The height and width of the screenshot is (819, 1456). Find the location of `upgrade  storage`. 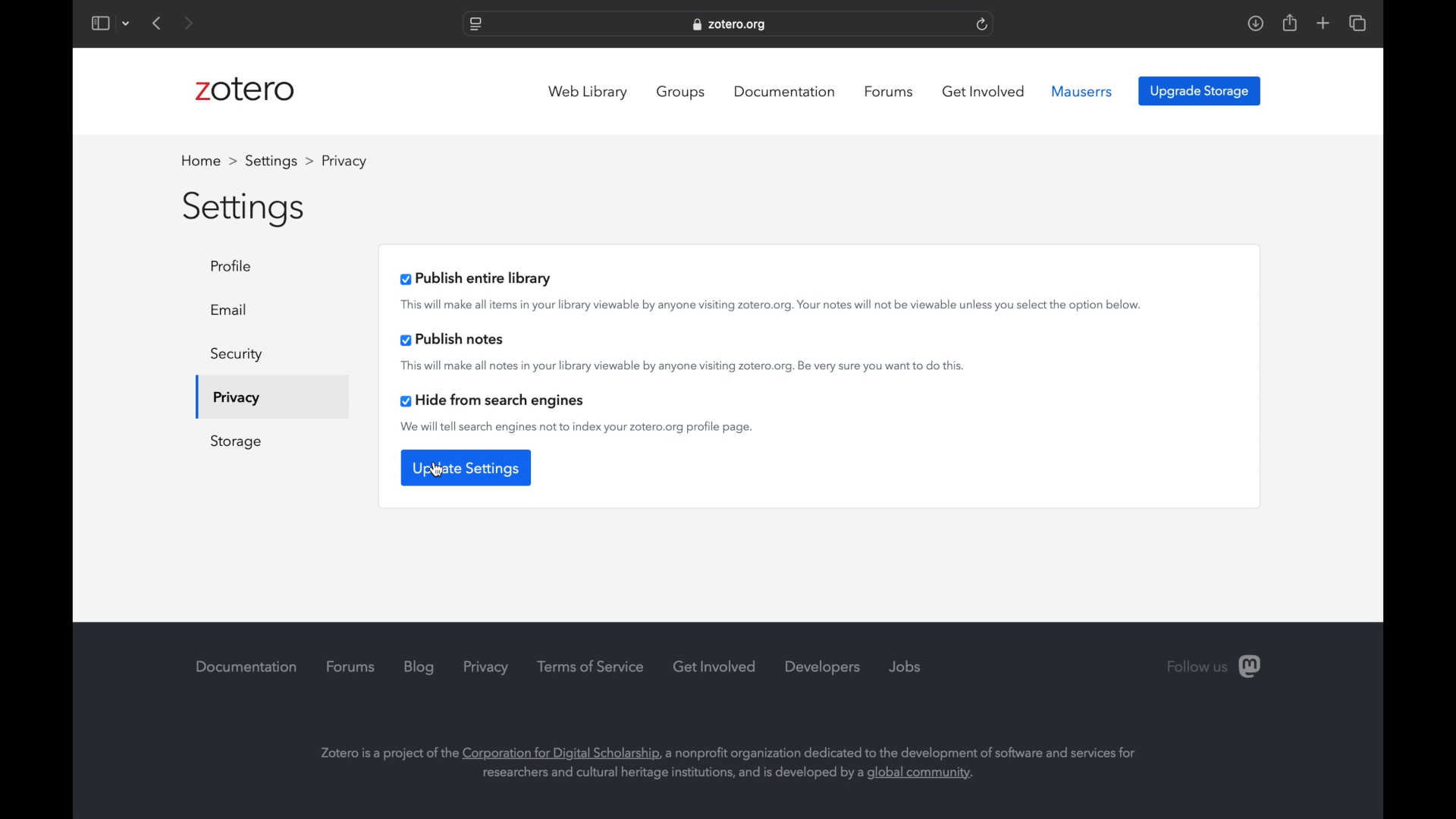

upgrade  storage is located at coordinates (1200, 91).